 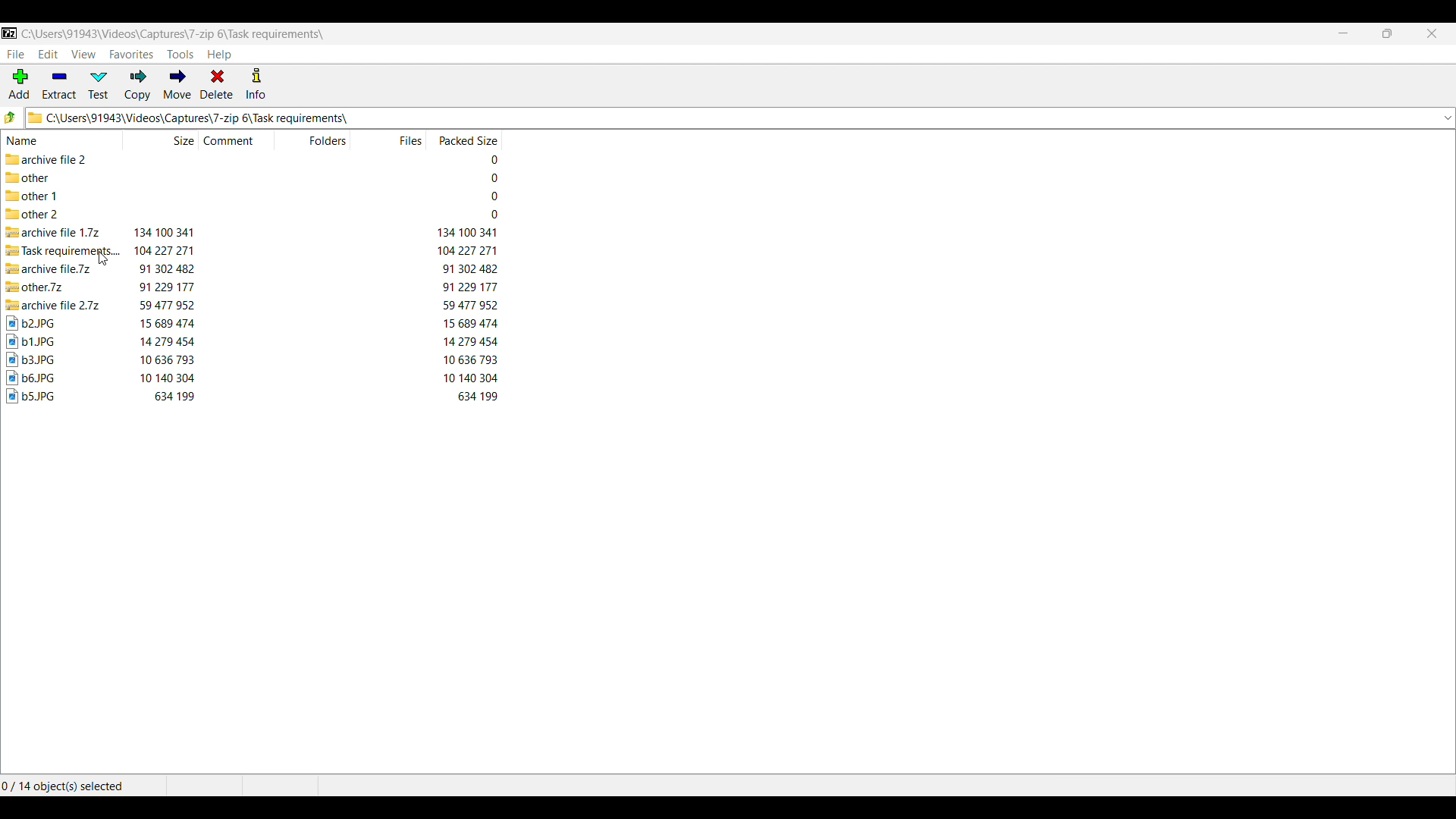 What do you see at coordinates (168, 250) in the screenshot?
I see `size` at bounding box center [168, 250].